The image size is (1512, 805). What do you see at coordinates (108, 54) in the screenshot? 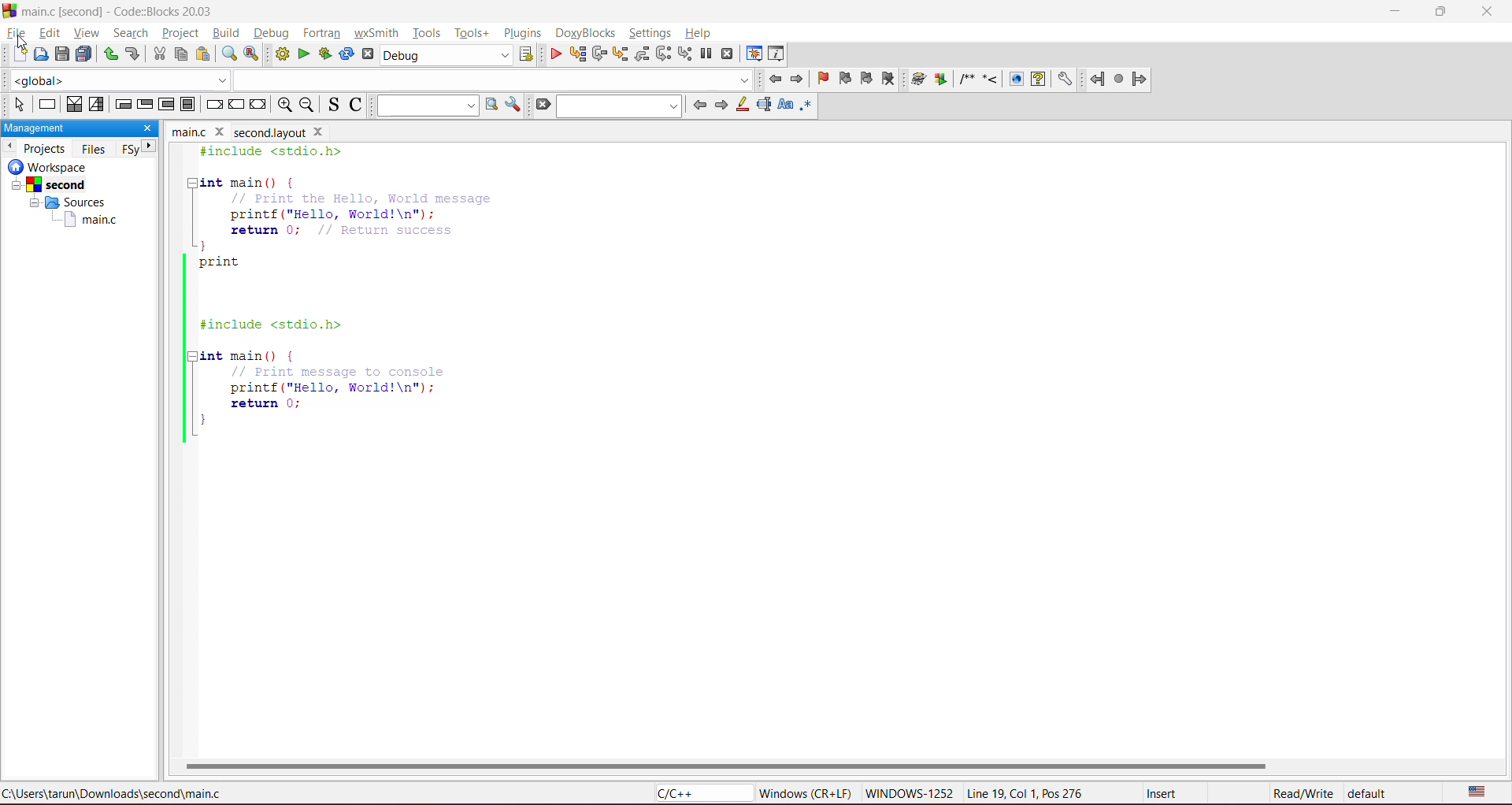
I see `undo` at bounding box center [108, 54].